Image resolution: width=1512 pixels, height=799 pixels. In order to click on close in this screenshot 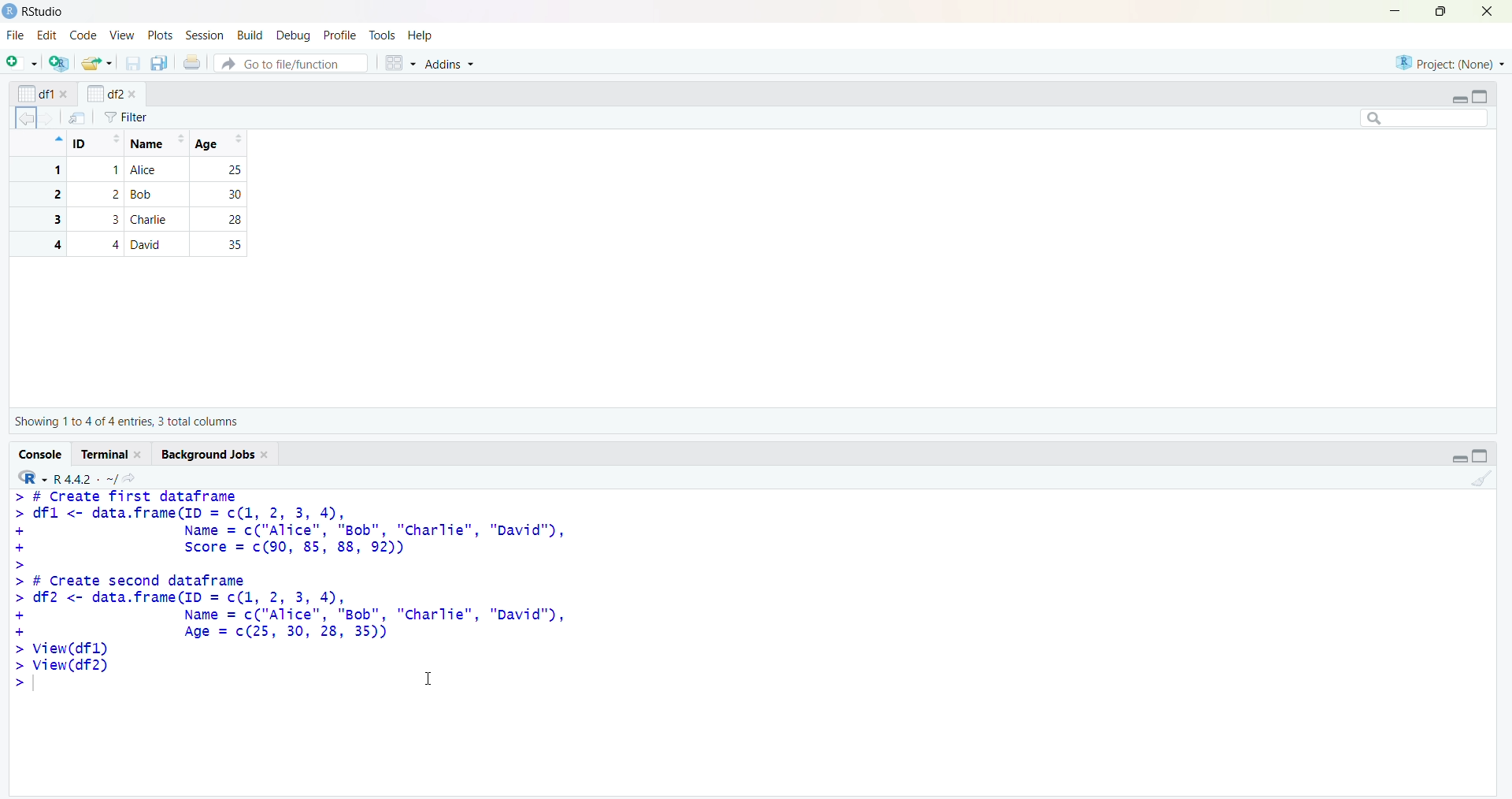, I will do `click(65, 94)`.